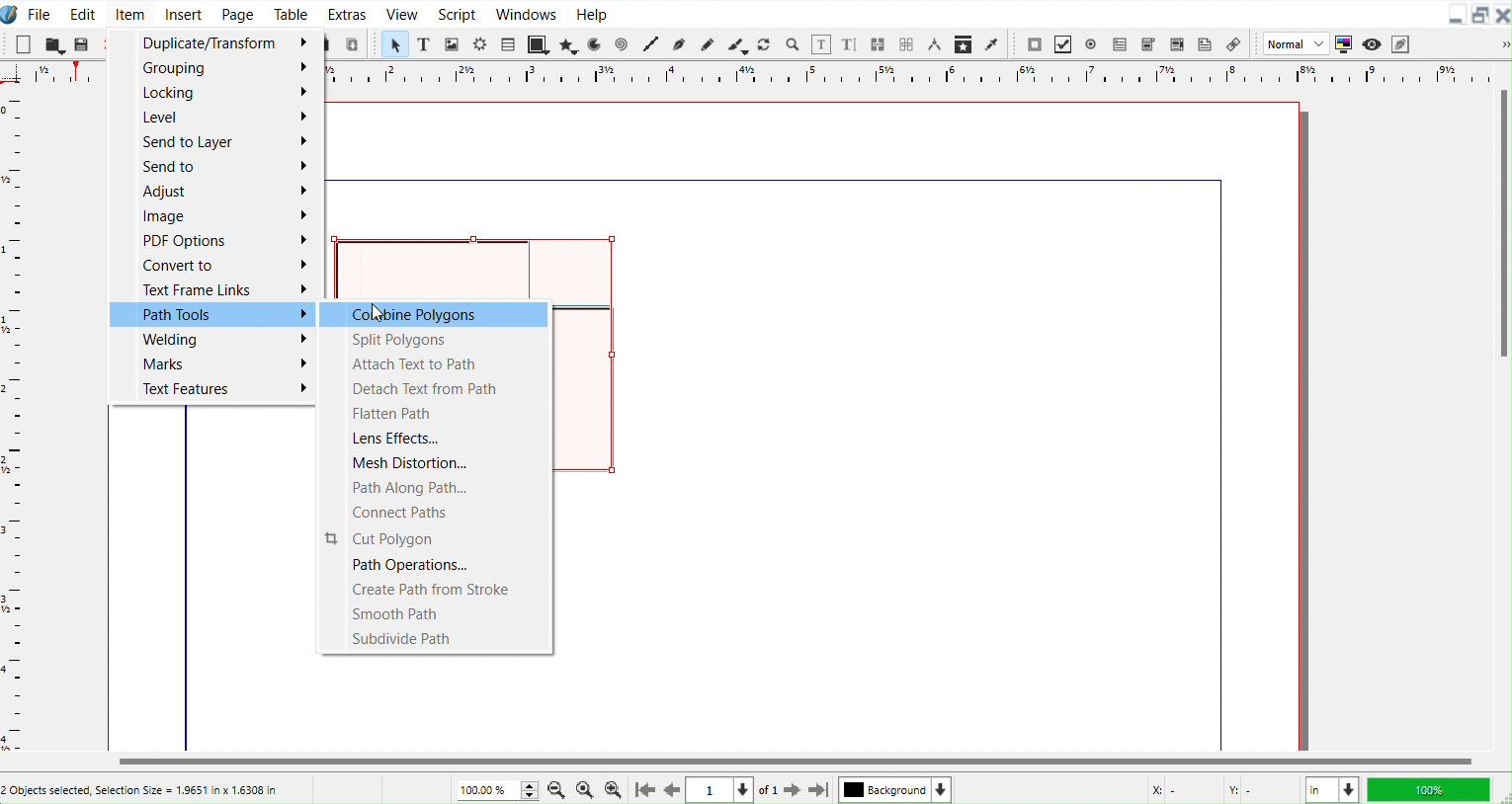  What do you see at coordinates (213, 216) in the screenshot?
I see `Image` at bounding box center [213, 216].